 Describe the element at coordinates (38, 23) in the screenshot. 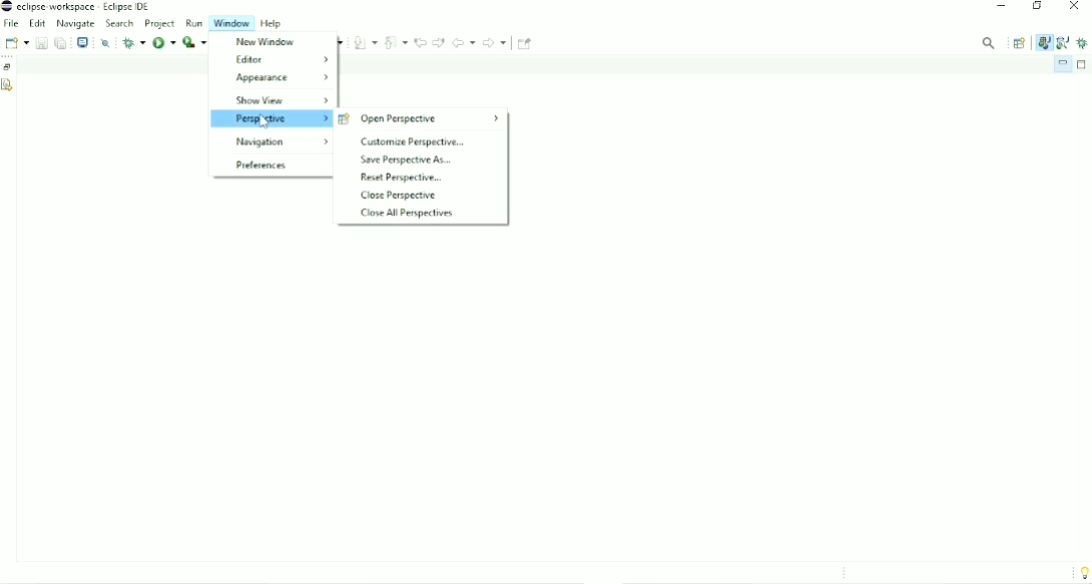

I see `Edit` at that location.